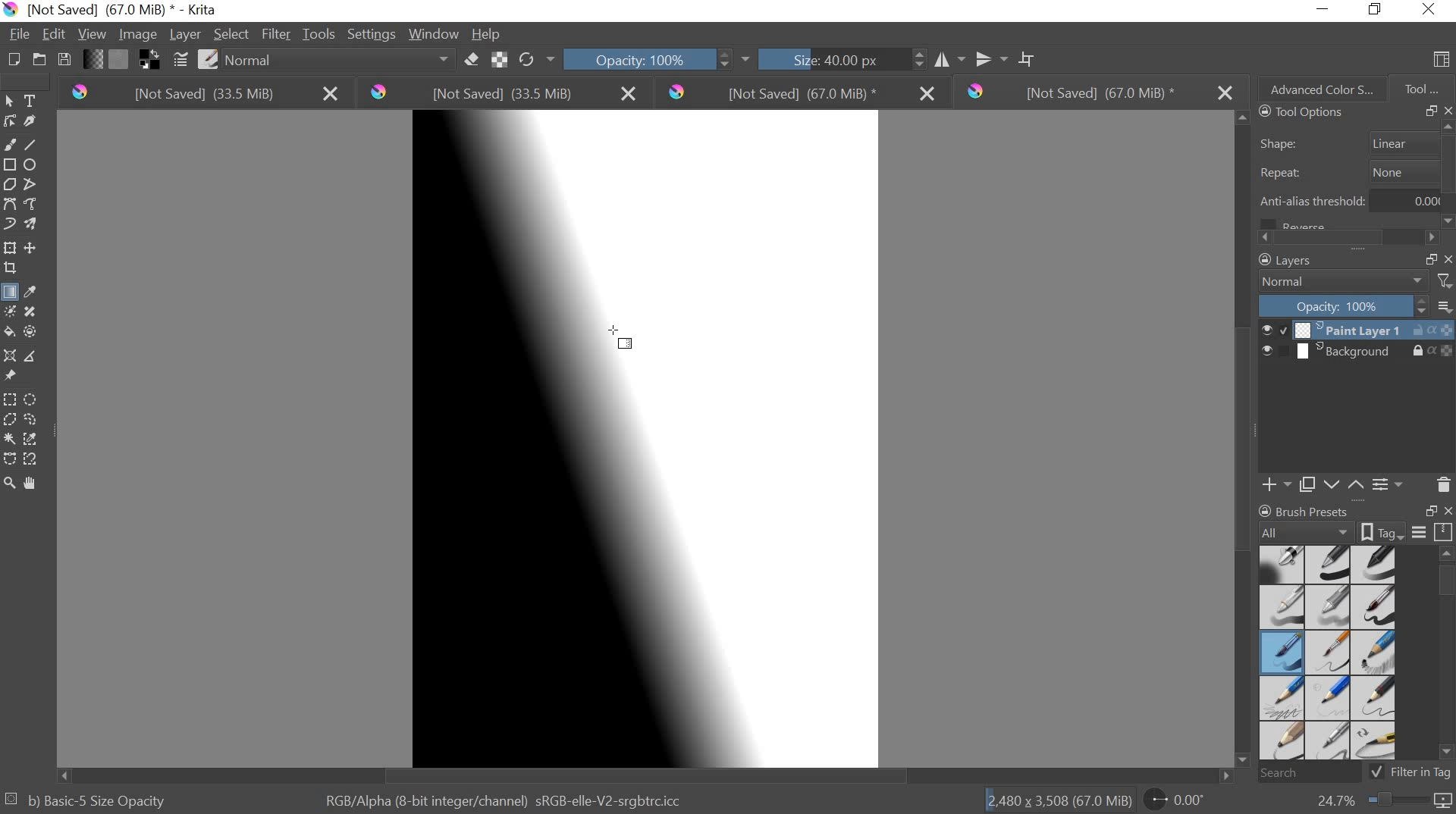 The image size is (1456, 814). I want to click on polyline, so click(35, 185).